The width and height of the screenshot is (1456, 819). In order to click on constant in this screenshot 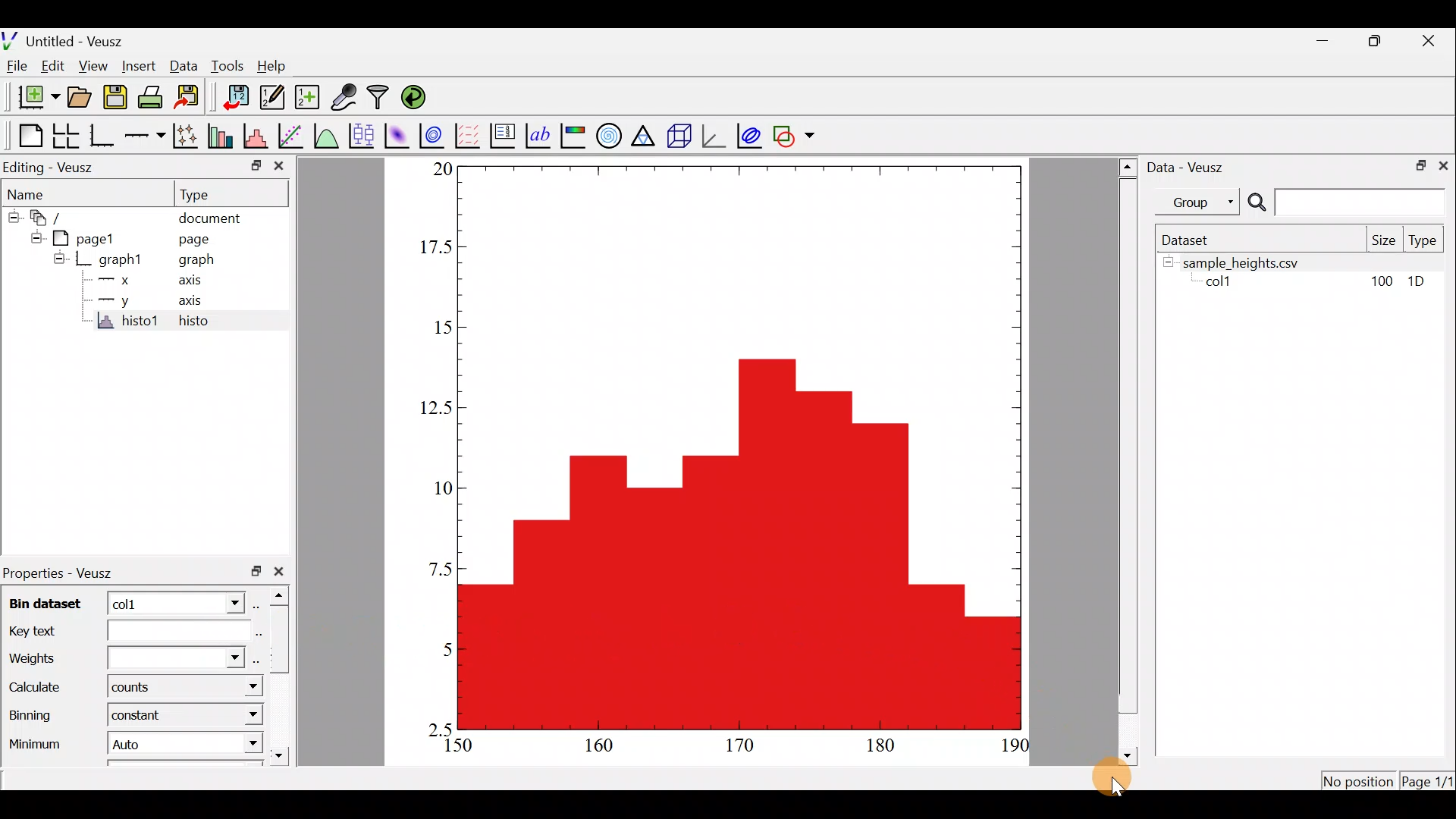, I will do `click(143, 718)`.